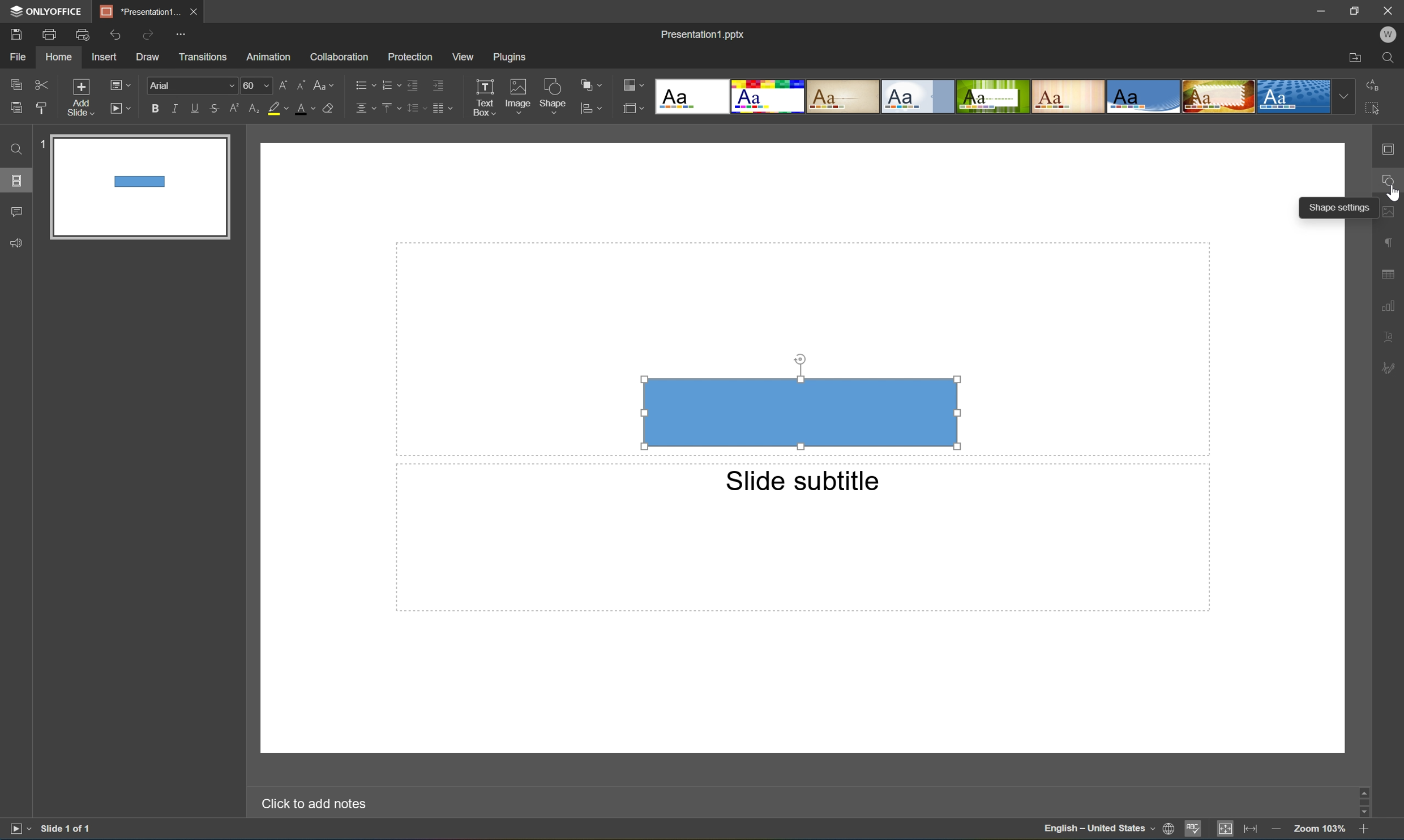 The image size is (1404, 840). I want to click on Rectangle, so click(801, 412).